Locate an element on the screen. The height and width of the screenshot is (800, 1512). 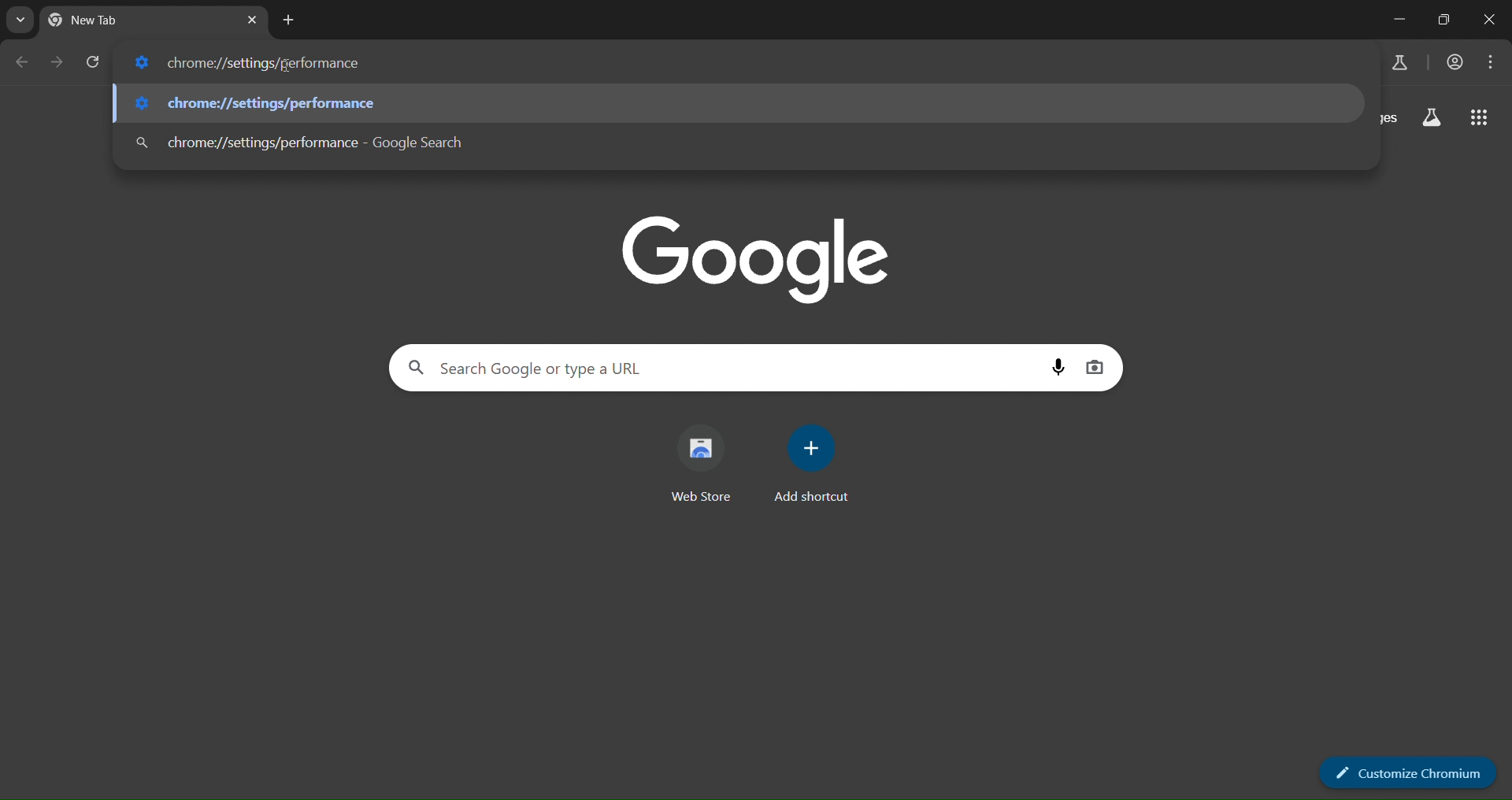
search tabs is located at coordinates (21, 20).